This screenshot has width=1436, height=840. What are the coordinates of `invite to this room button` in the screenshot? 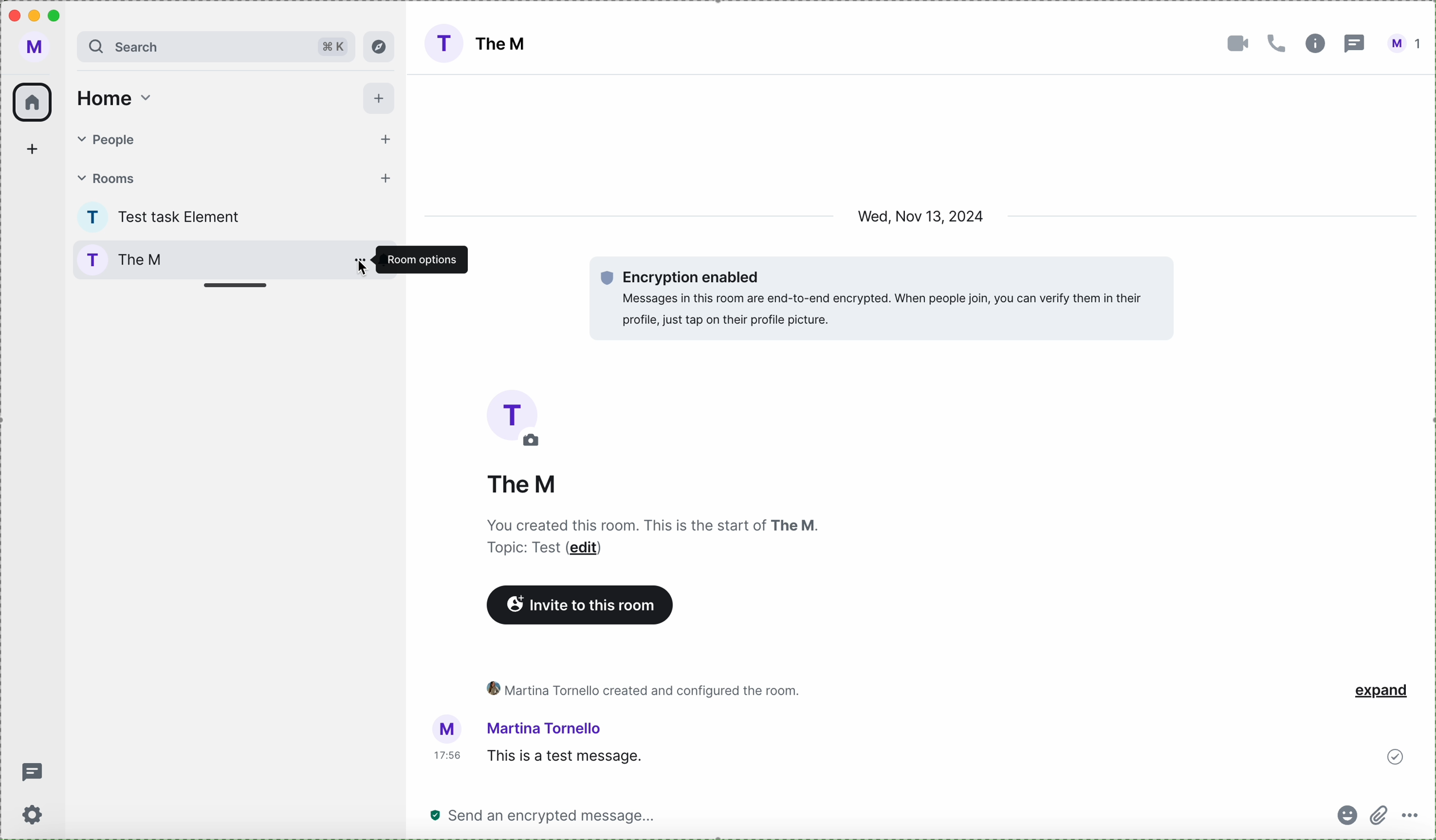 It's located at (584, 605).